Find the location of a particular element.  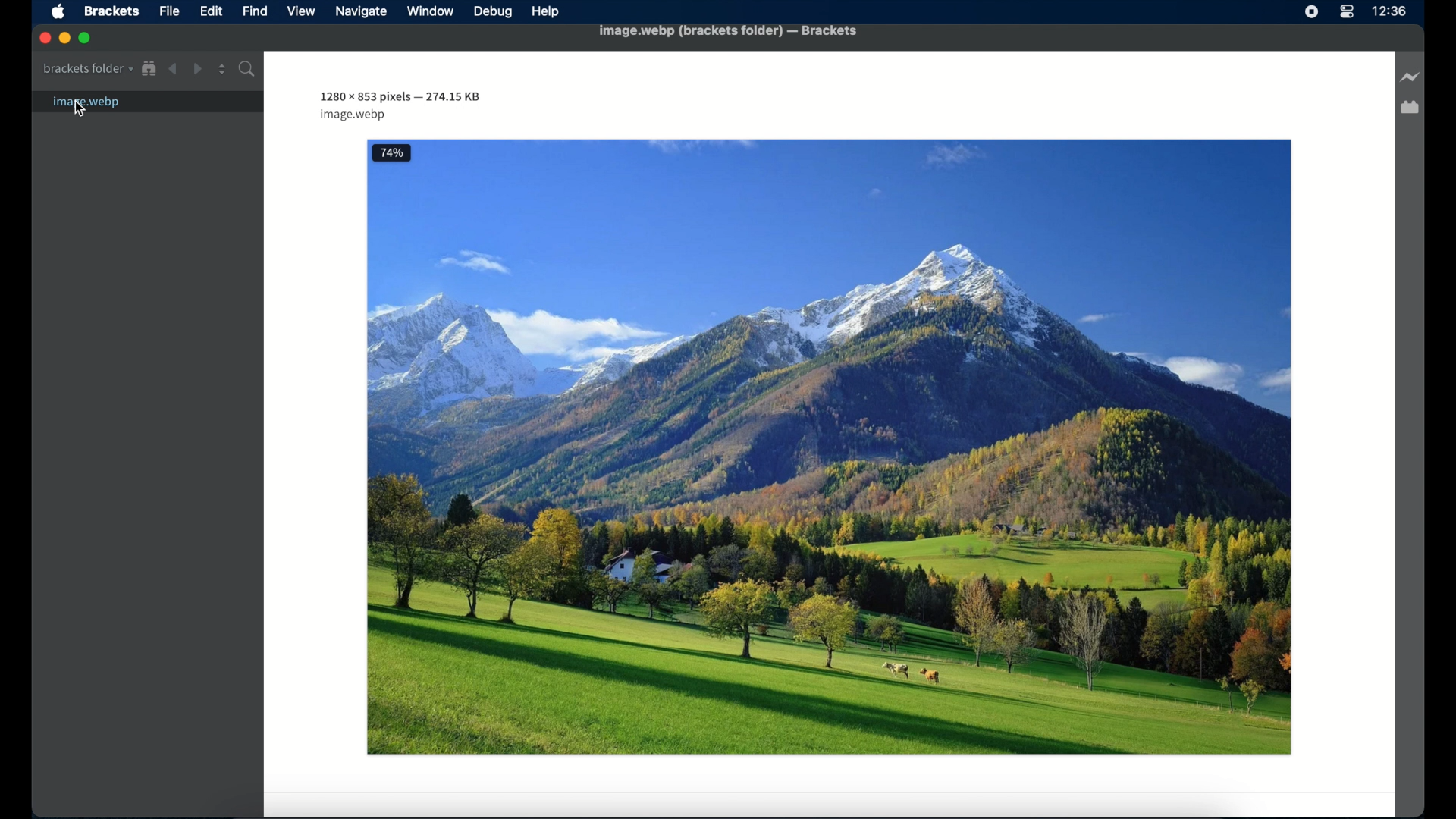

1280 x 853 pixels - 274.15 KB is located at coordinates (400, 97).